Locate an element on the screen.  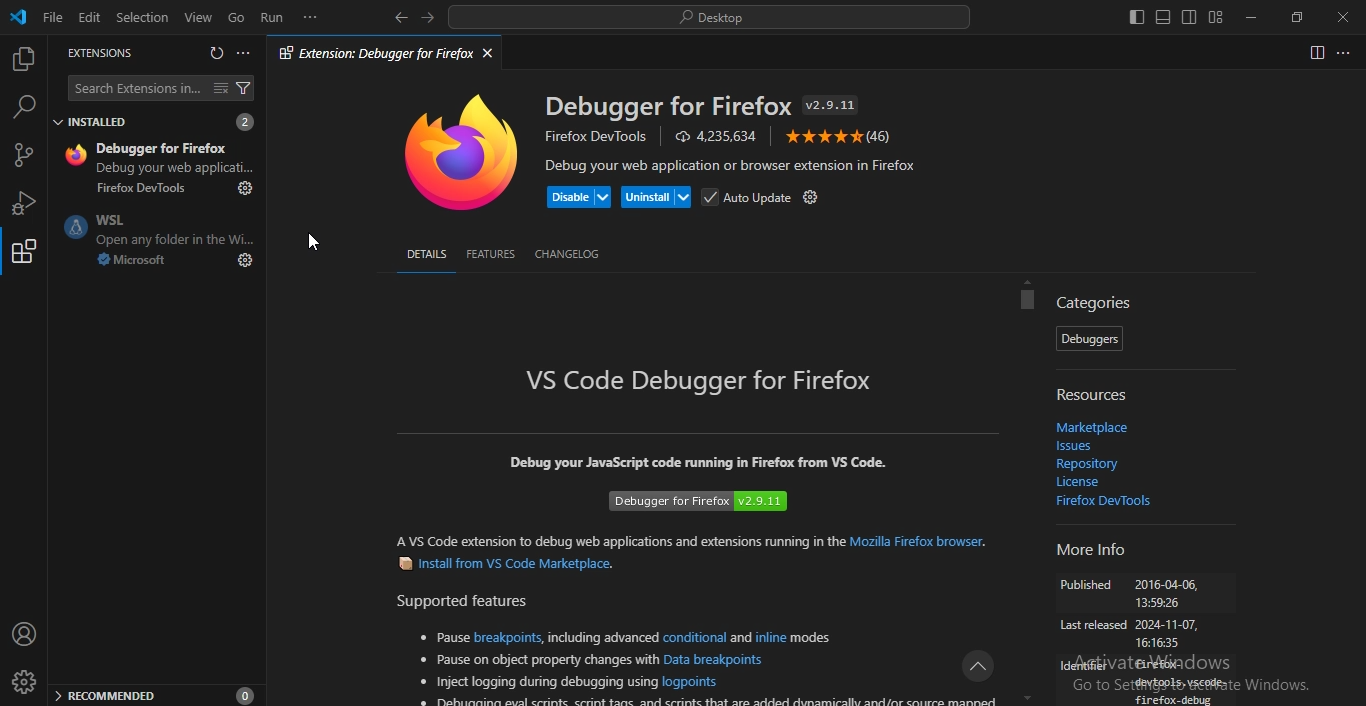
WSl open any folder in the Win.. is located at coordinates (173, 229).